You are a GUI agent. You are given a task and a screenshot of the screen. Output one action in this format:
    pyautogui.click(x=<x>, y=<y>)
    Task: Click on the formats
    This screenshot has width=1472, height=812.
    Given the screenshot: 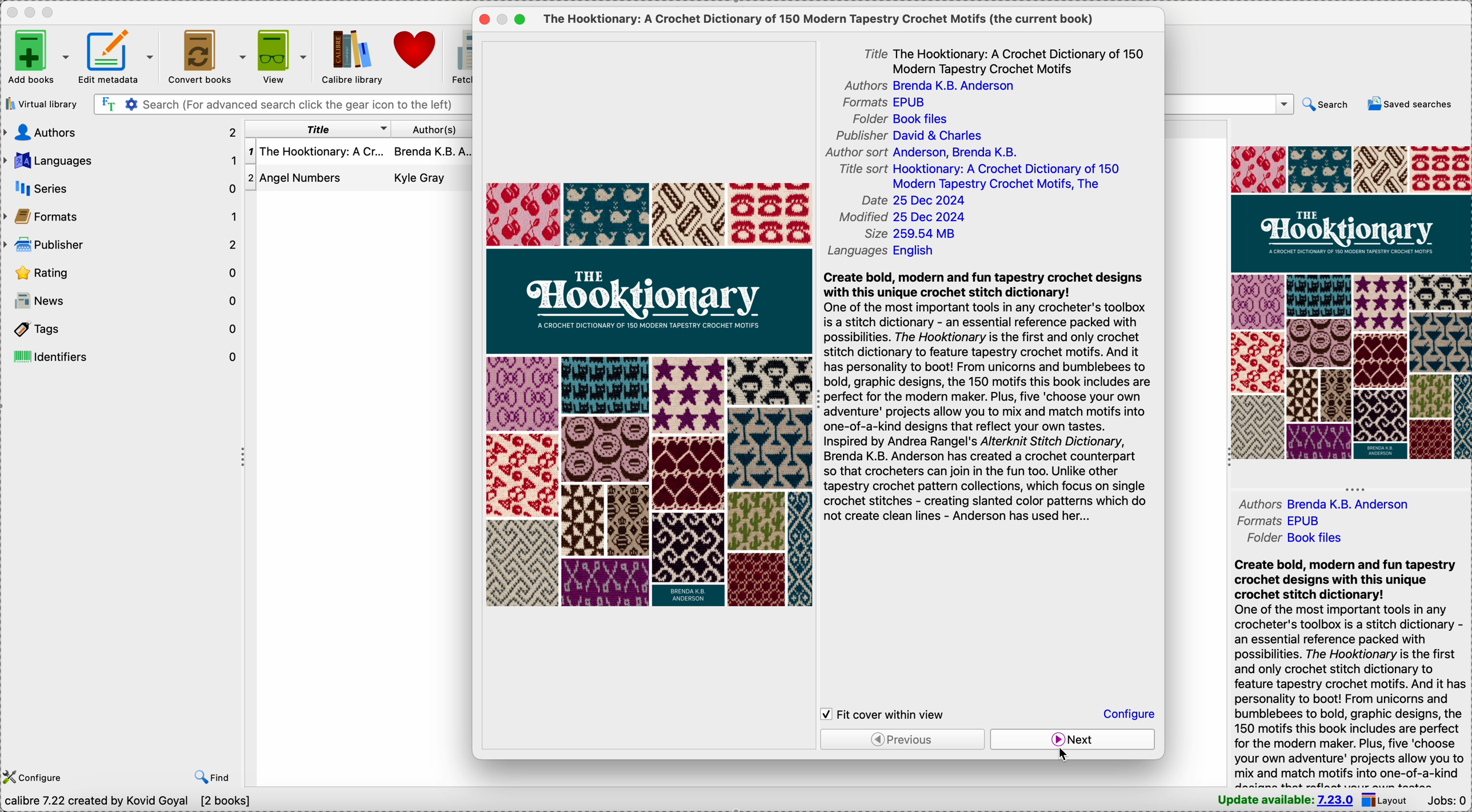 What is the action you would take?
    pyautogui.click(x=121, y=217)
    